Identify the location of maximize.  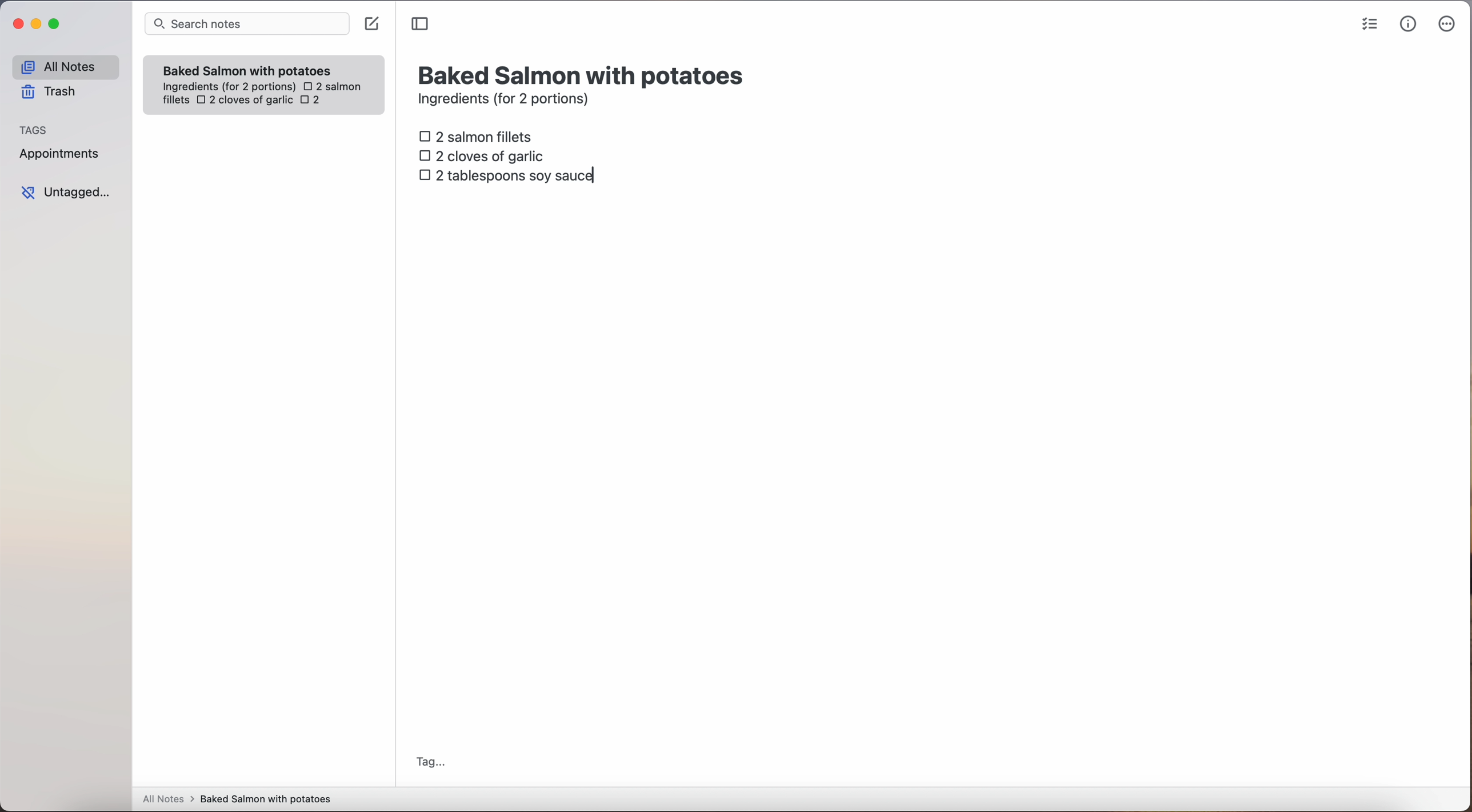
(56, 23).